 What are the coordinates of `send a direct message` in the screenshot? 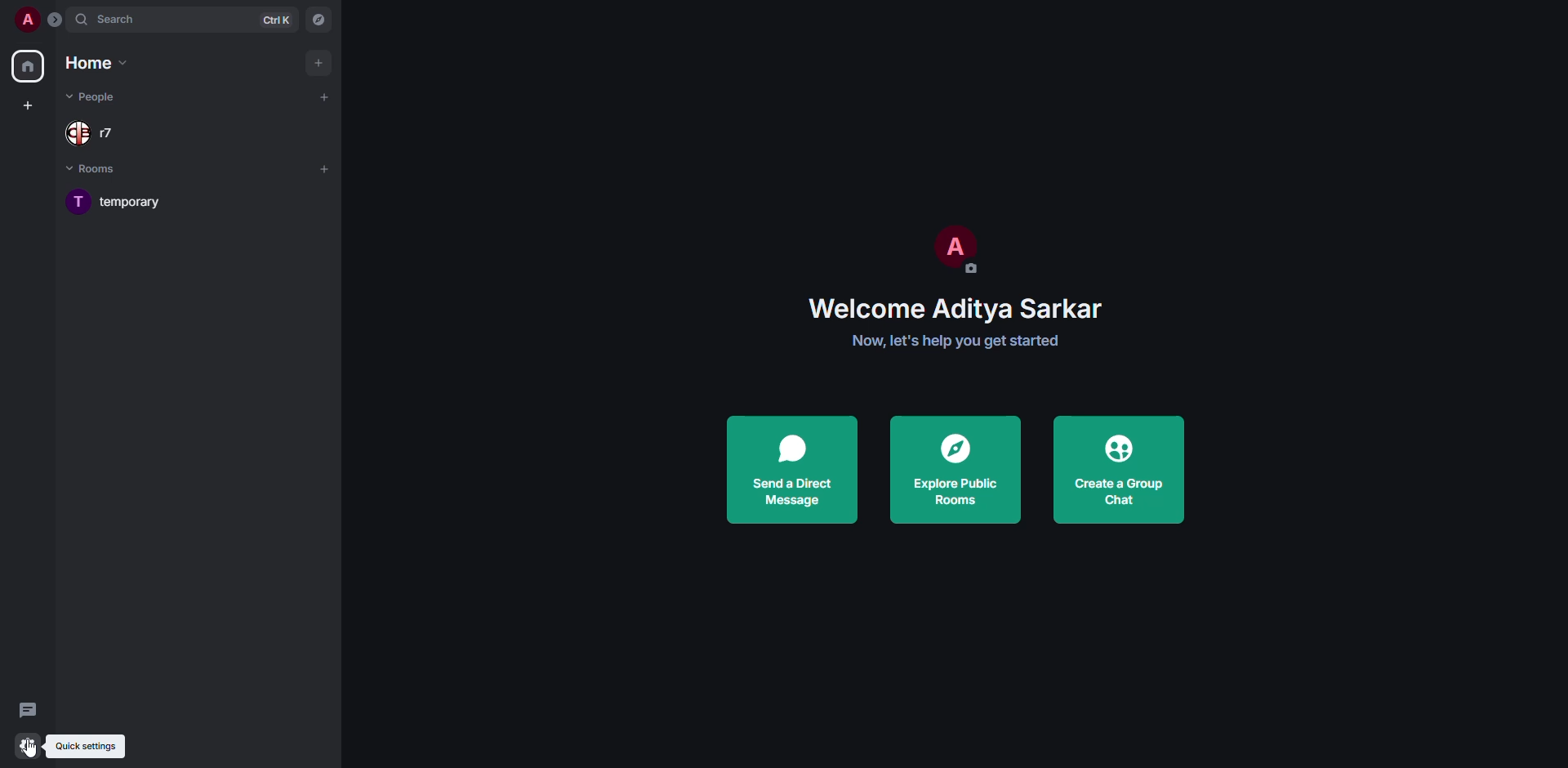 It's located at (797, 469).